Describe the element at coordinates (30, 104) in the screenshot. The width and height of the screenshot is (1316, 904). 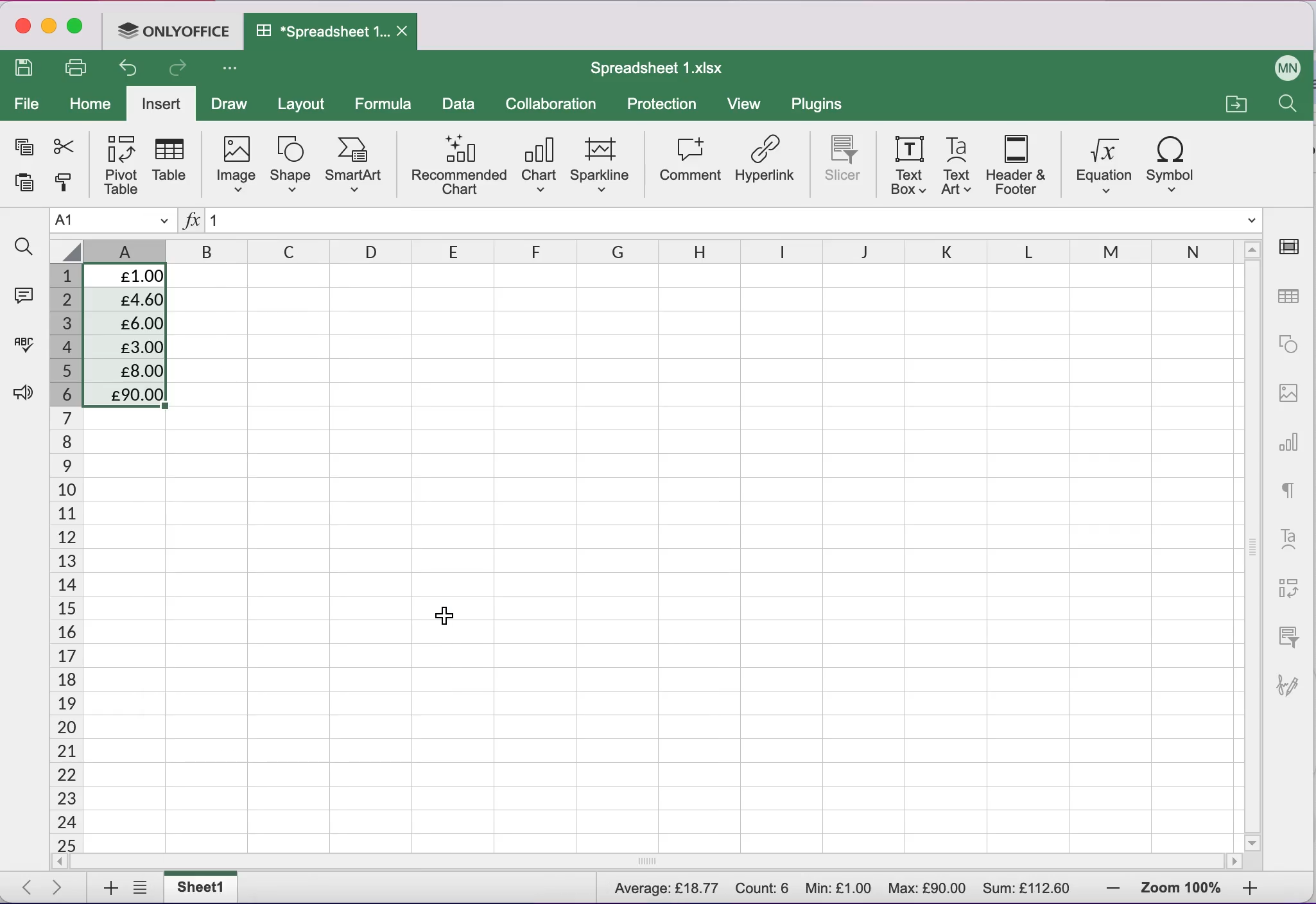
I see `file` at that location.